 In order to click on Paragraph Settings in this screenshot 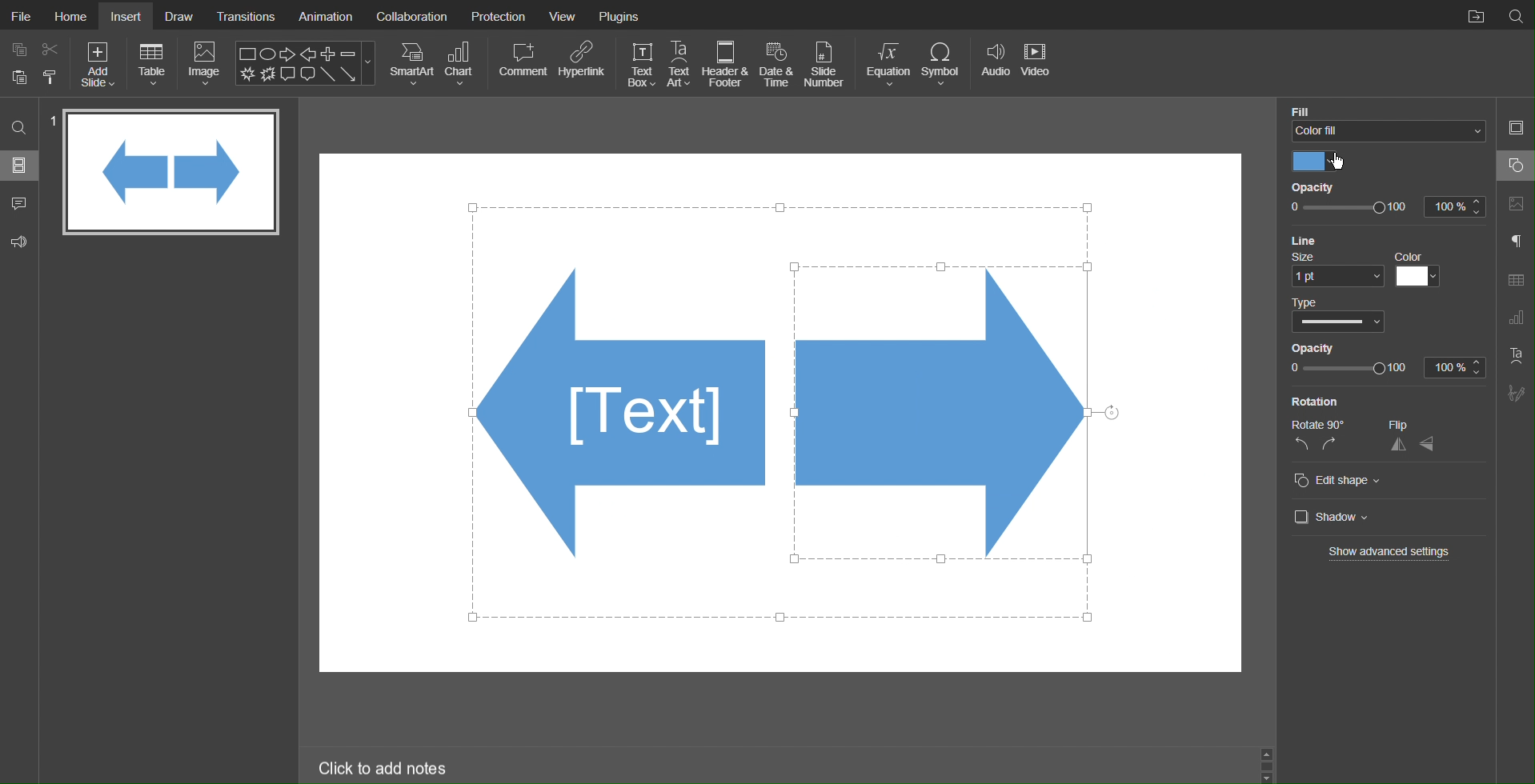, I will do `click(1516, 242)`.